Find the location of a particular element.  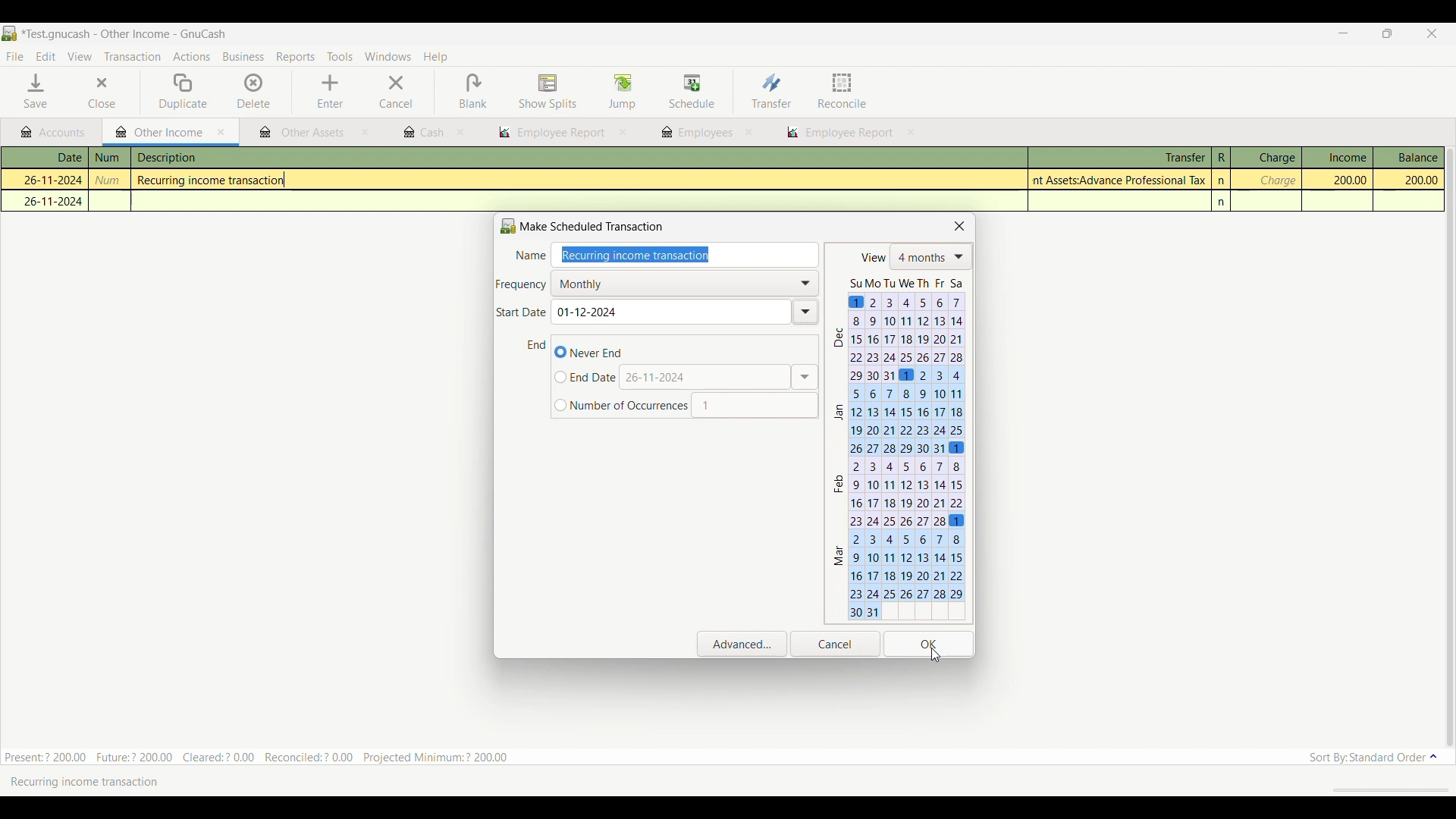

other assets is located at coordinates (303, 133).